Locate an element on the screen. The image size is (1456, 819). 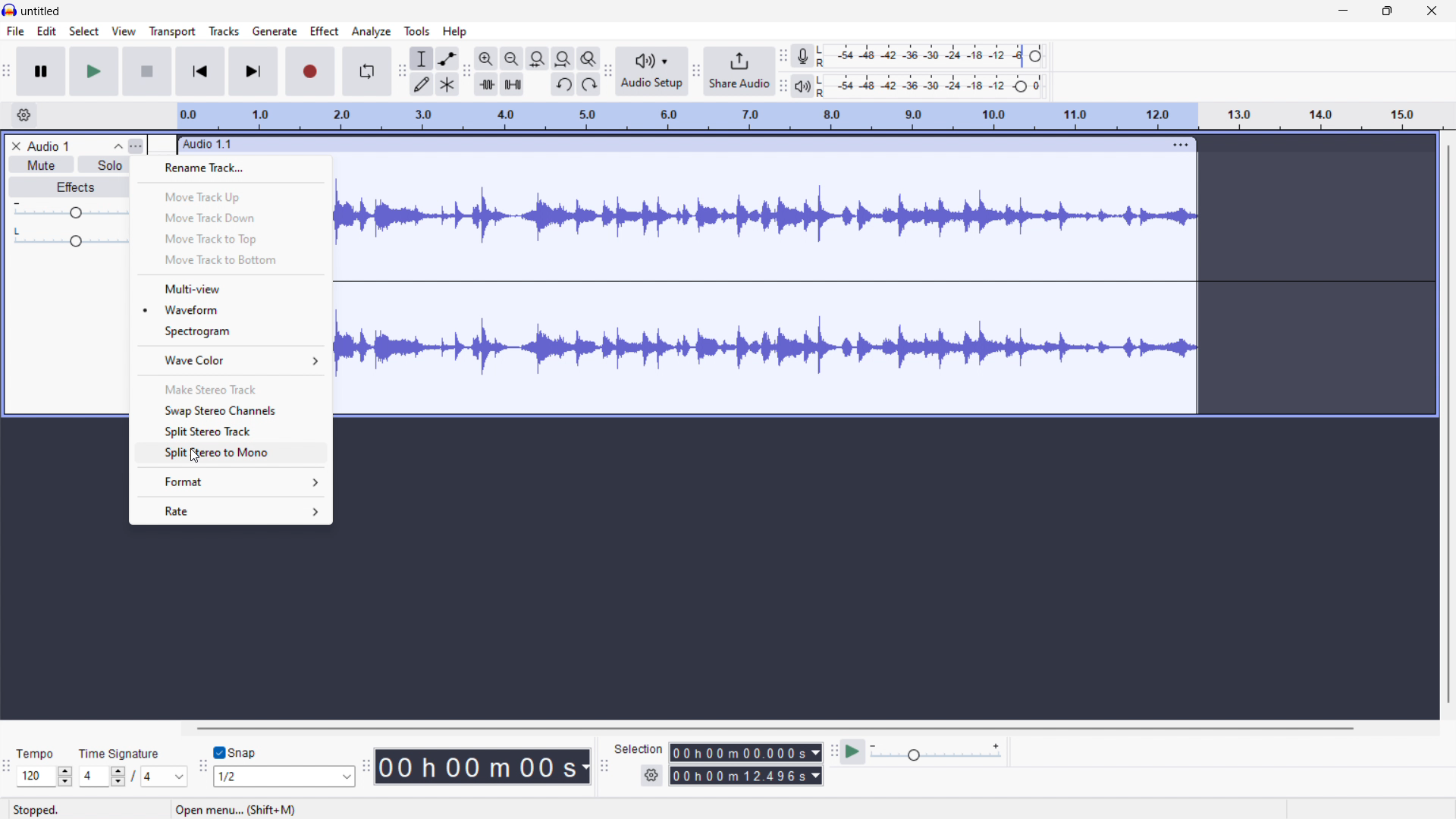
transport toolbar is located at coordinates (8, 74).